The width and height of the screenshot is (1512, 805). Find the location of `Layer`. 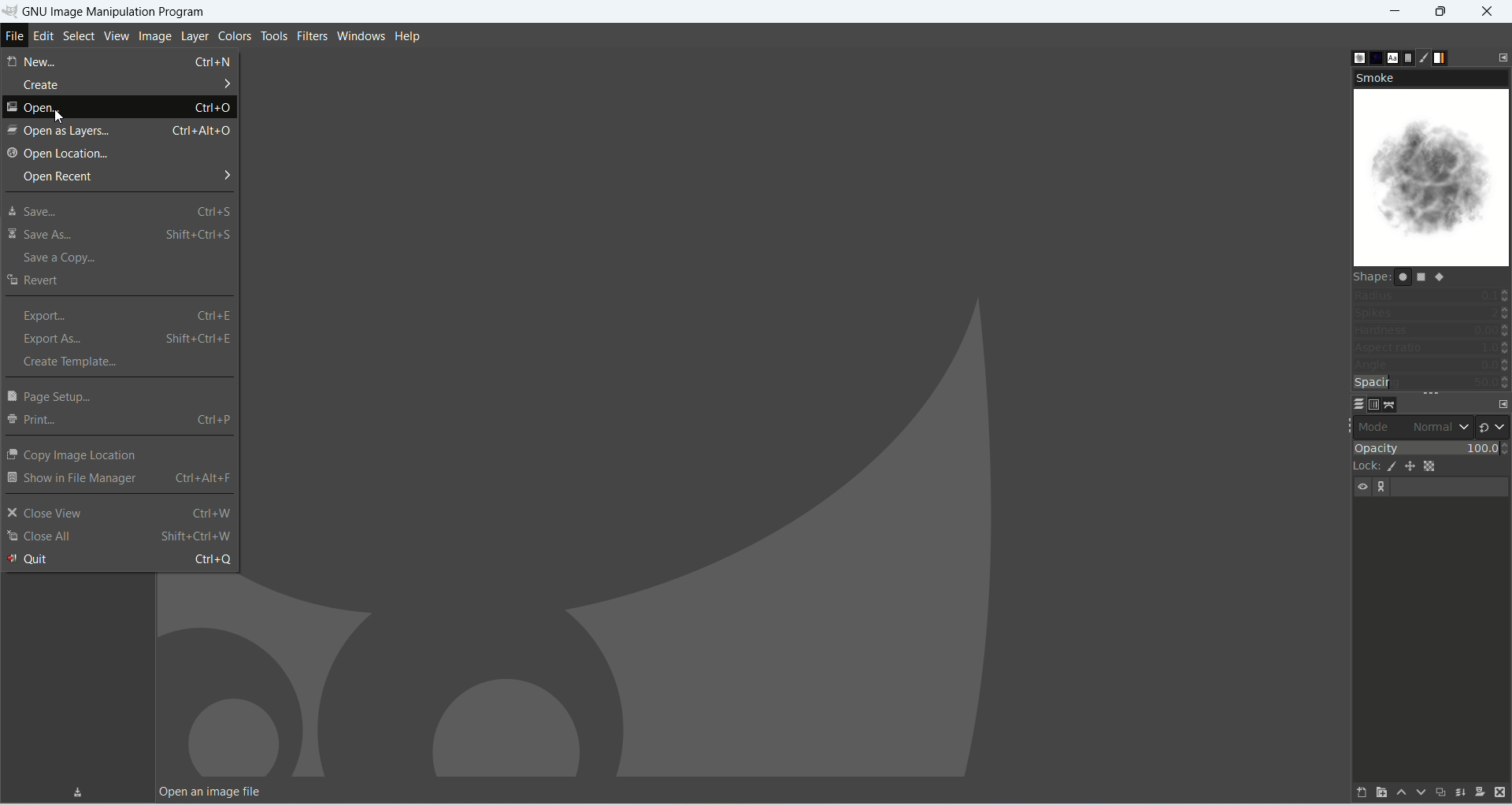

Layer is located at coordinates (192, 35).